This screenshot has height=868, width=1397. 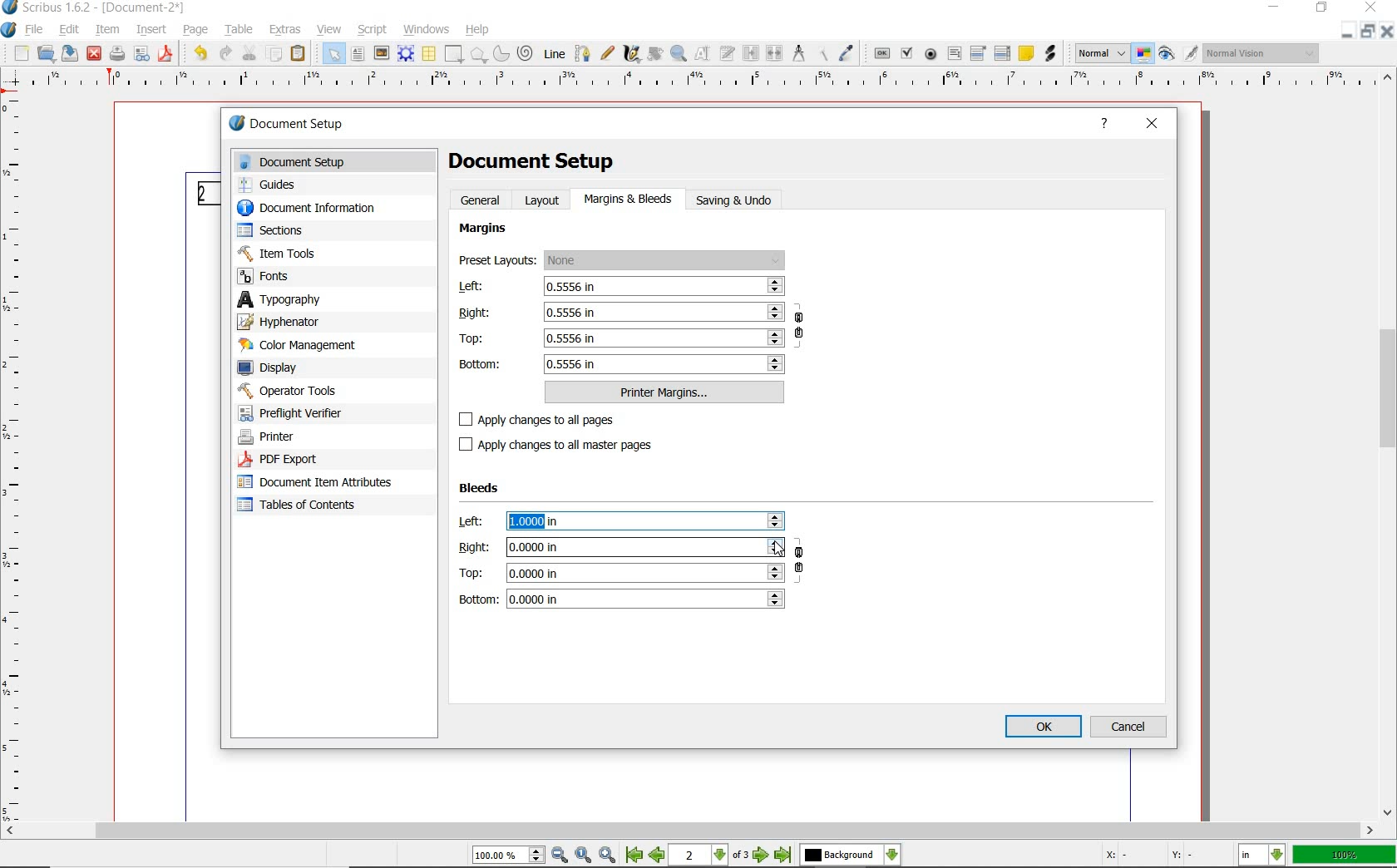 I want to click on image frame, so click(x=380, y=54).